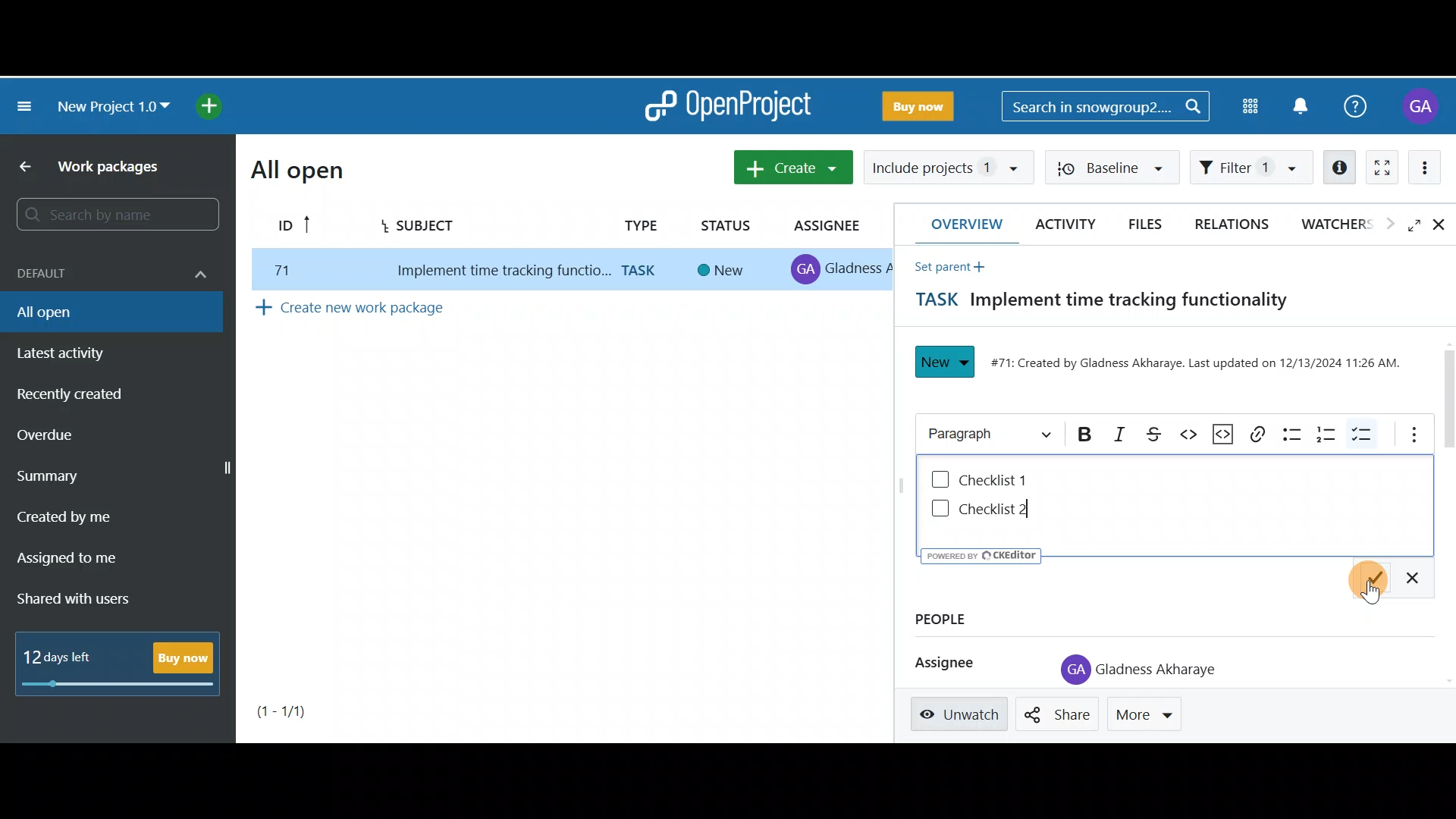 The width and height of the screenshot is (1456, 819). Describe the element at coordinates (209, 104) in the screenshot. I see `Open quick add menu` at that location.